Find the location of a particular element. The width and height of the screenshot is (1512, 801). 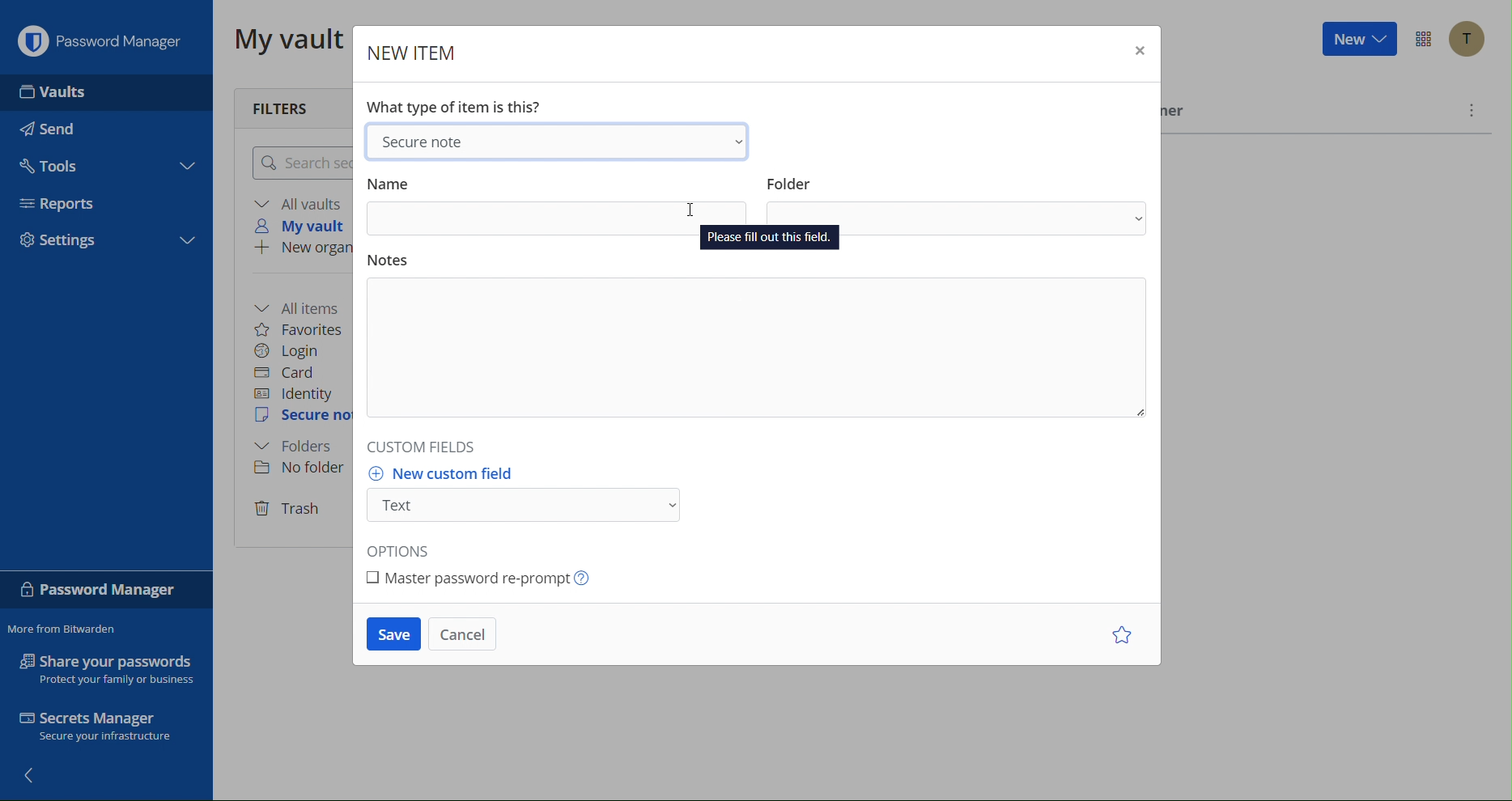

Save is located at coordinates (393, 638).